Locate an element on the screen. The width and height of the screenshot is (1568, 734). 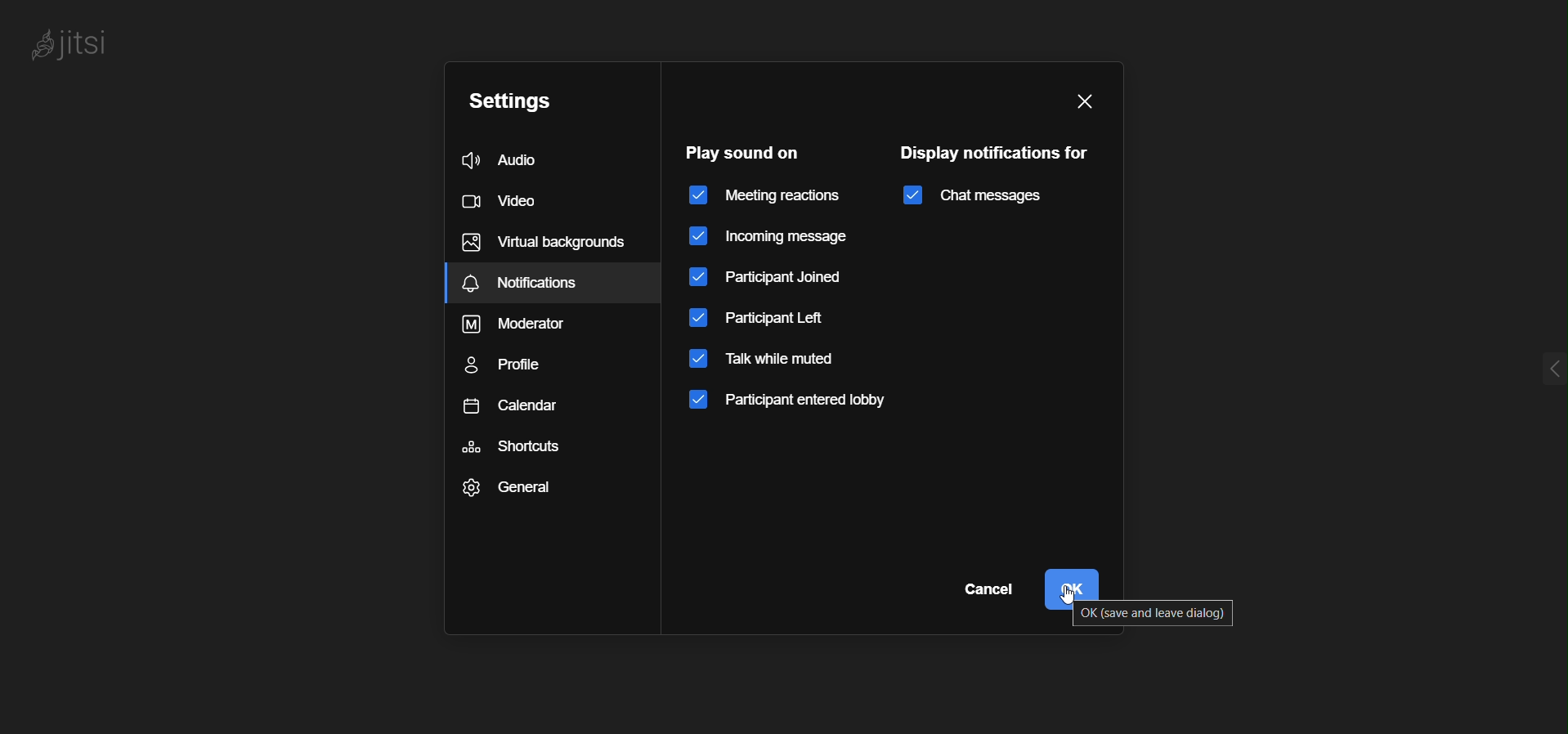
talk while muted is located at coordinates (779, 366).